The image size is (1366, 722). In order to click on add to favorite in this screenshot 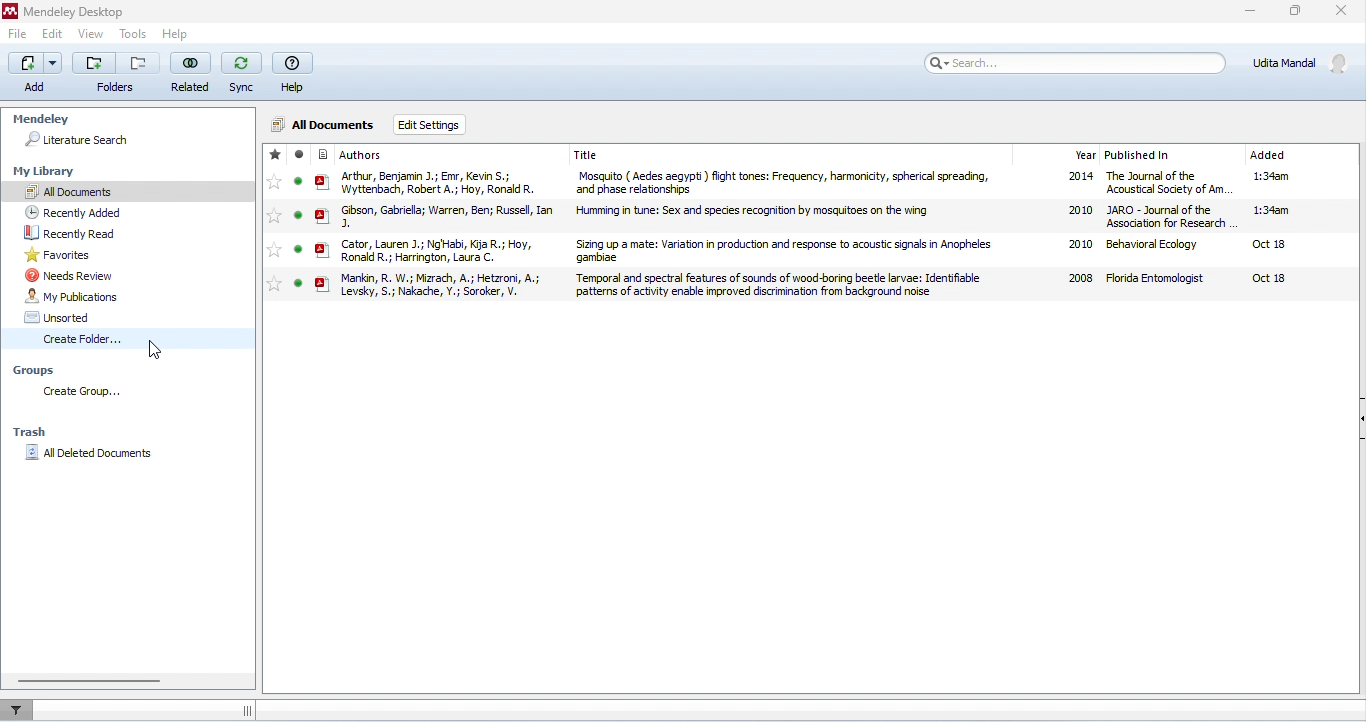, I will do `click(274, 217)`.